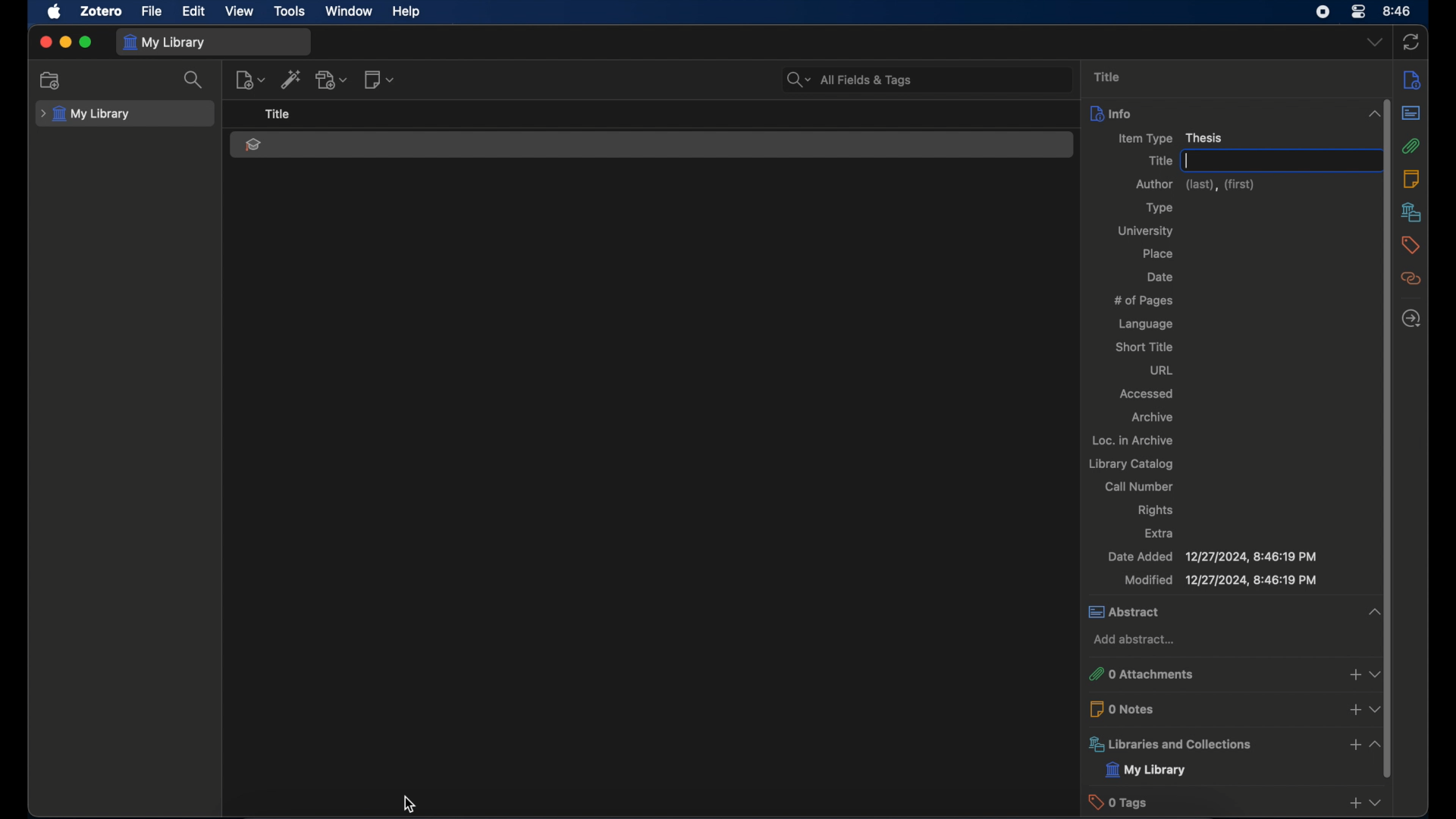 The height and width of the screenshot is (819, 1456). I want to click on libraries, so click(1209, 744).